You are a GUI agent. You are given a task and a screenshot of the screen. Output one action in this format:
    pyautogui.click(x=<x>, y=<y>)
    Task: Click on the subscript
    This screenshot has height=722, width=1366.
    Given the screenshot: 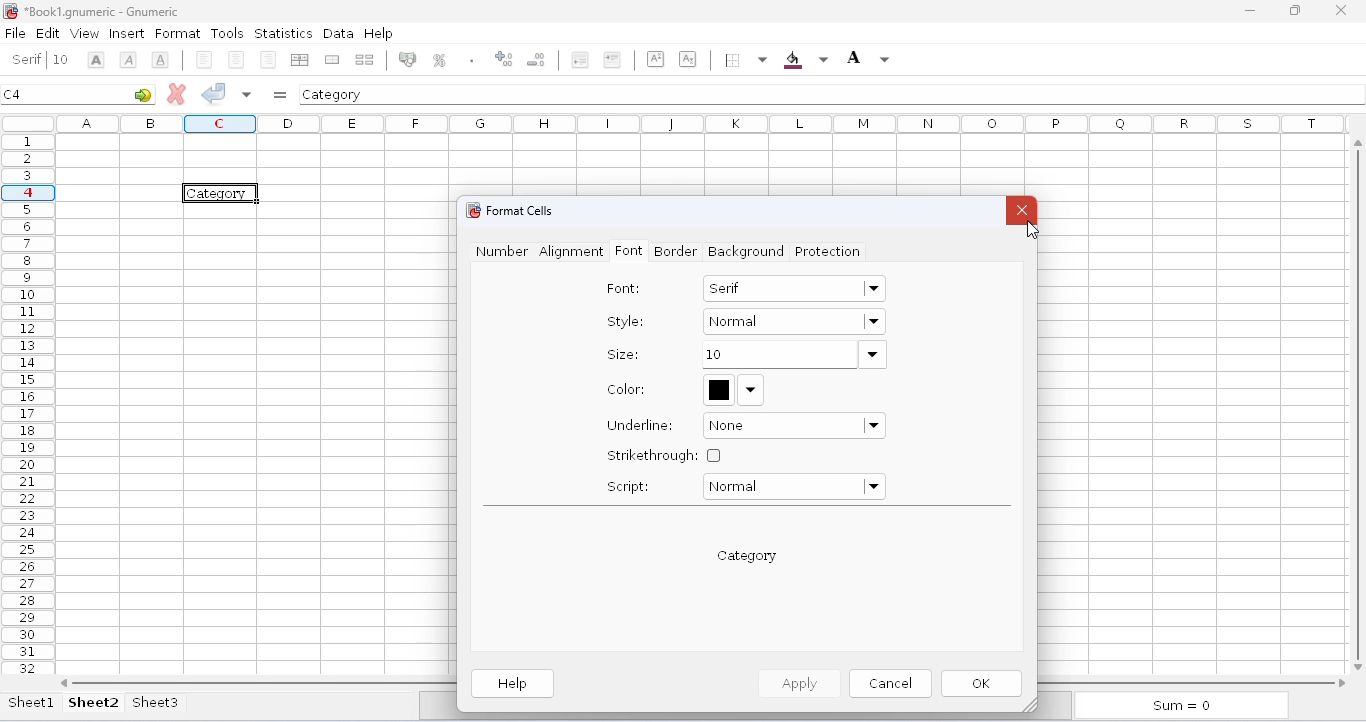 What is the action you would take?
    pyautogui.click(x=731, y=58)
    